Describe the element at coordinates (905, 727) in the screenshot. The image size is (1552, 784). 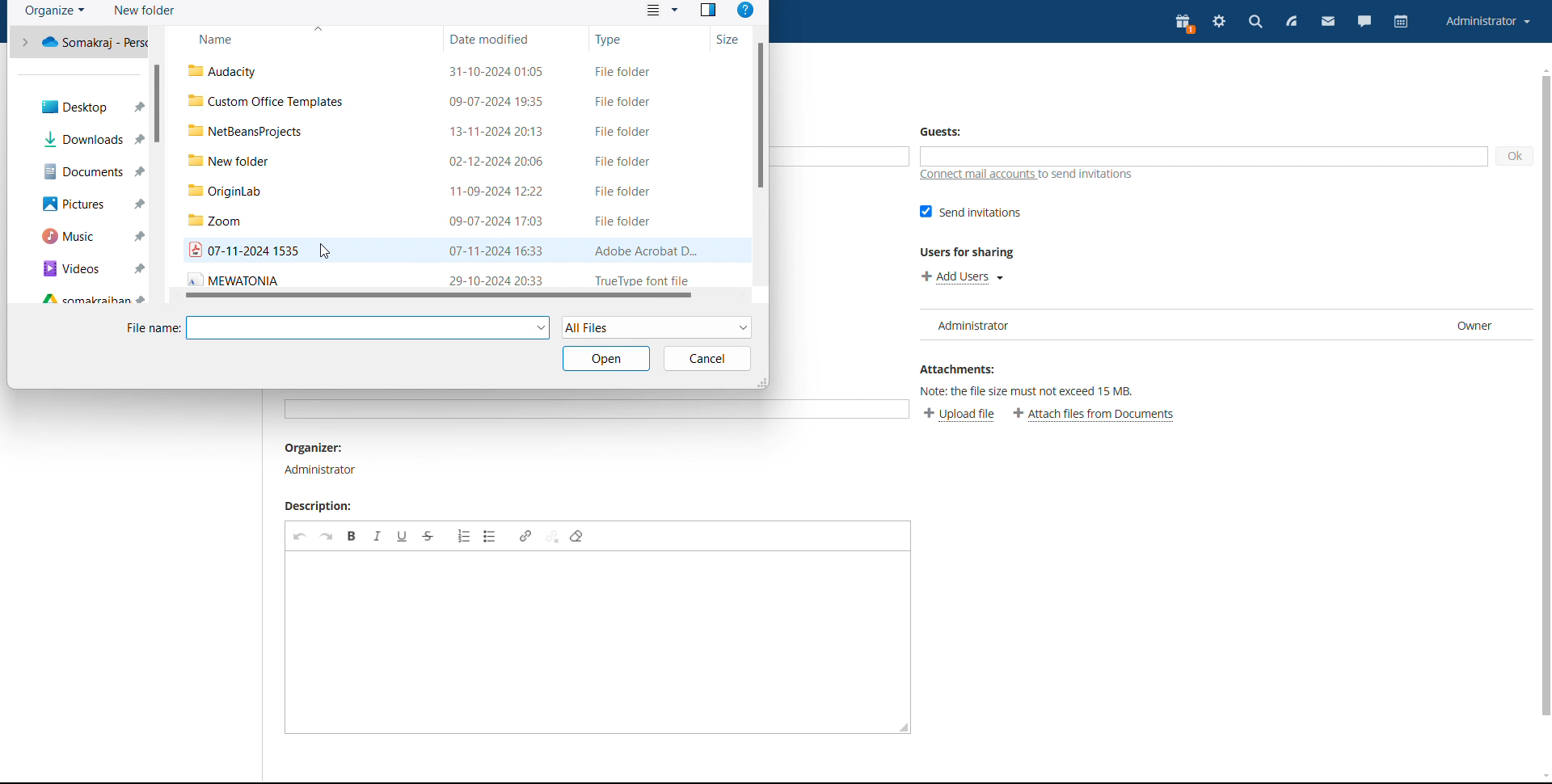
I see `resize` at that location.